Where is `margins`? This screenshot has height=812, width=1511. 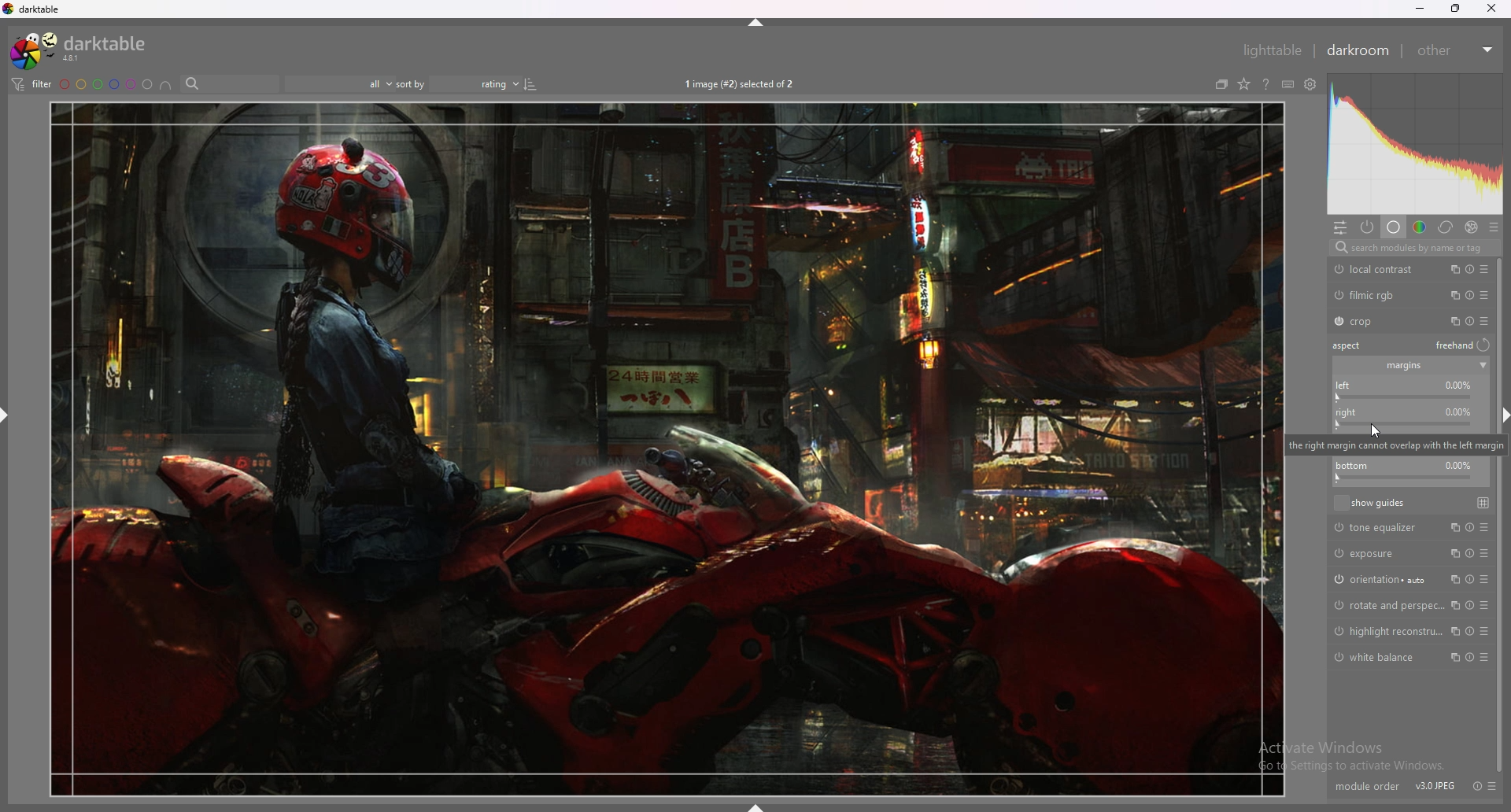
margins is located at coordinates (1403, 367).